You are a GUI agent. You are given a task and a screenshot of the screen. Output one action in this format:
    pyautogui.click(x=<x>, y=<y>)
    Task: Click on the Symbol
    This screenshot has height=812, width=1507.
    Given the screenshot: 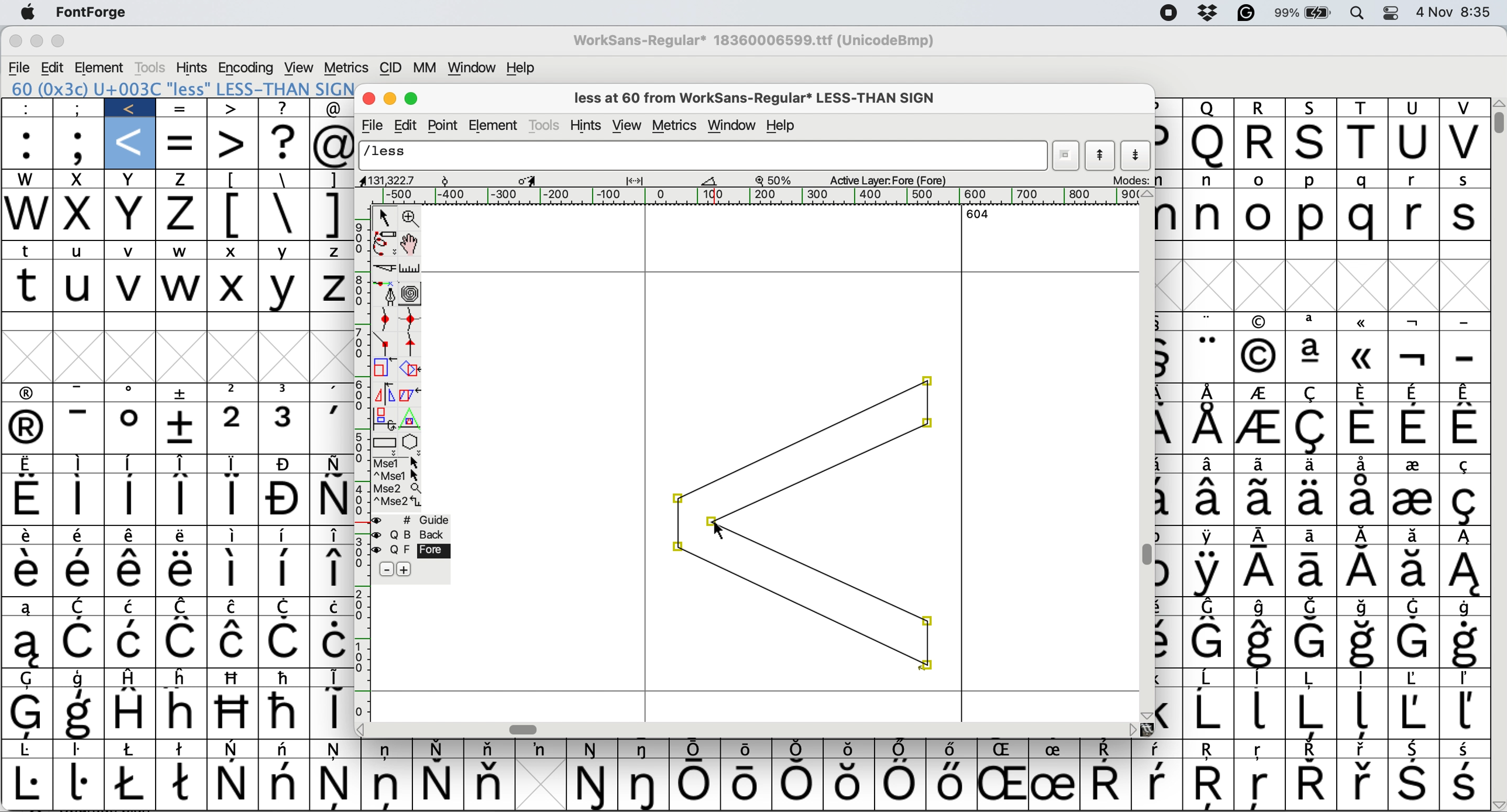 What is the action you would take?
    pyautogui.click(x=1361, y=679)
    